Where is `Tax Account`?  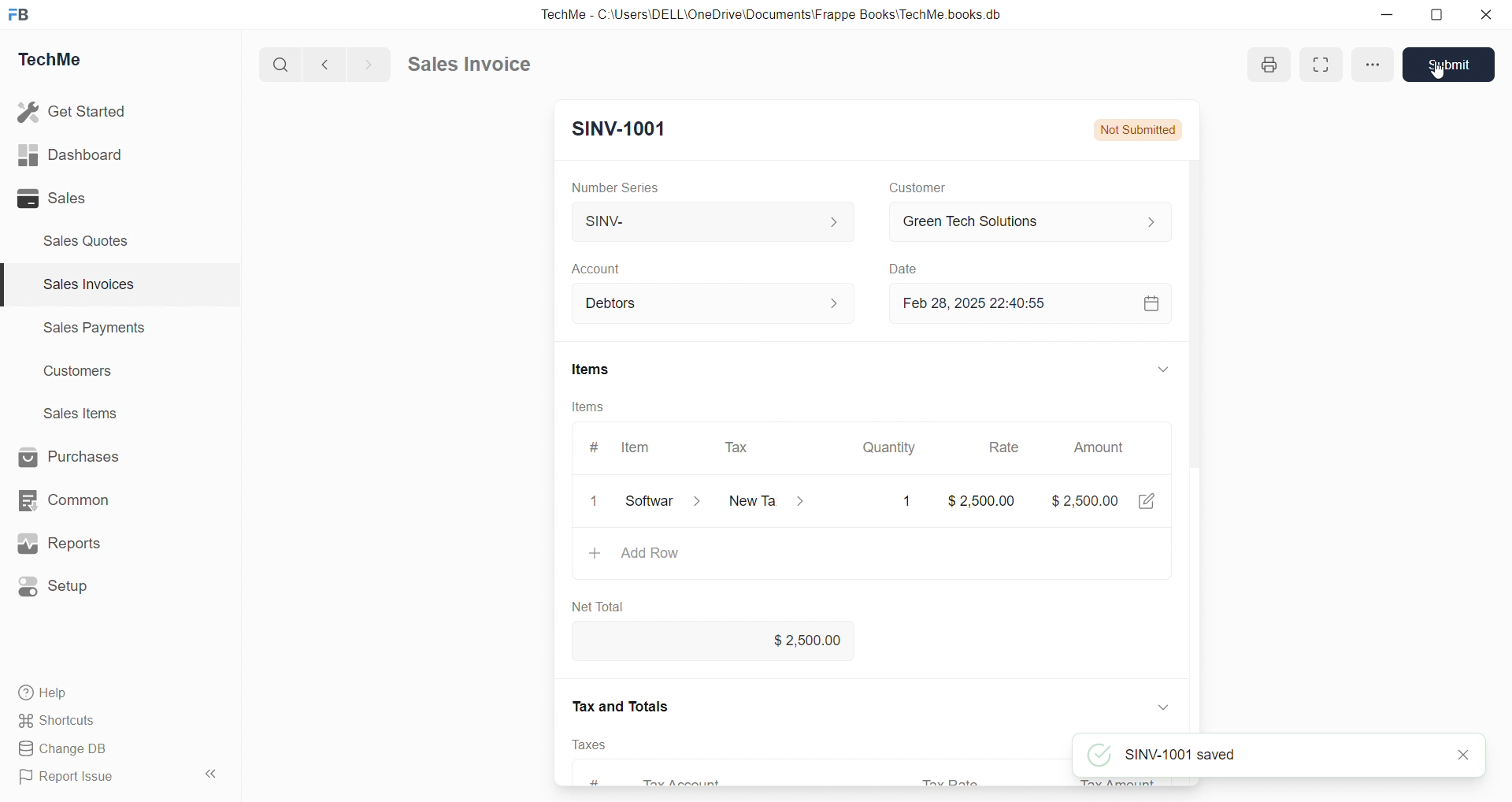
Tax Account is located at coordinates (677, 780).